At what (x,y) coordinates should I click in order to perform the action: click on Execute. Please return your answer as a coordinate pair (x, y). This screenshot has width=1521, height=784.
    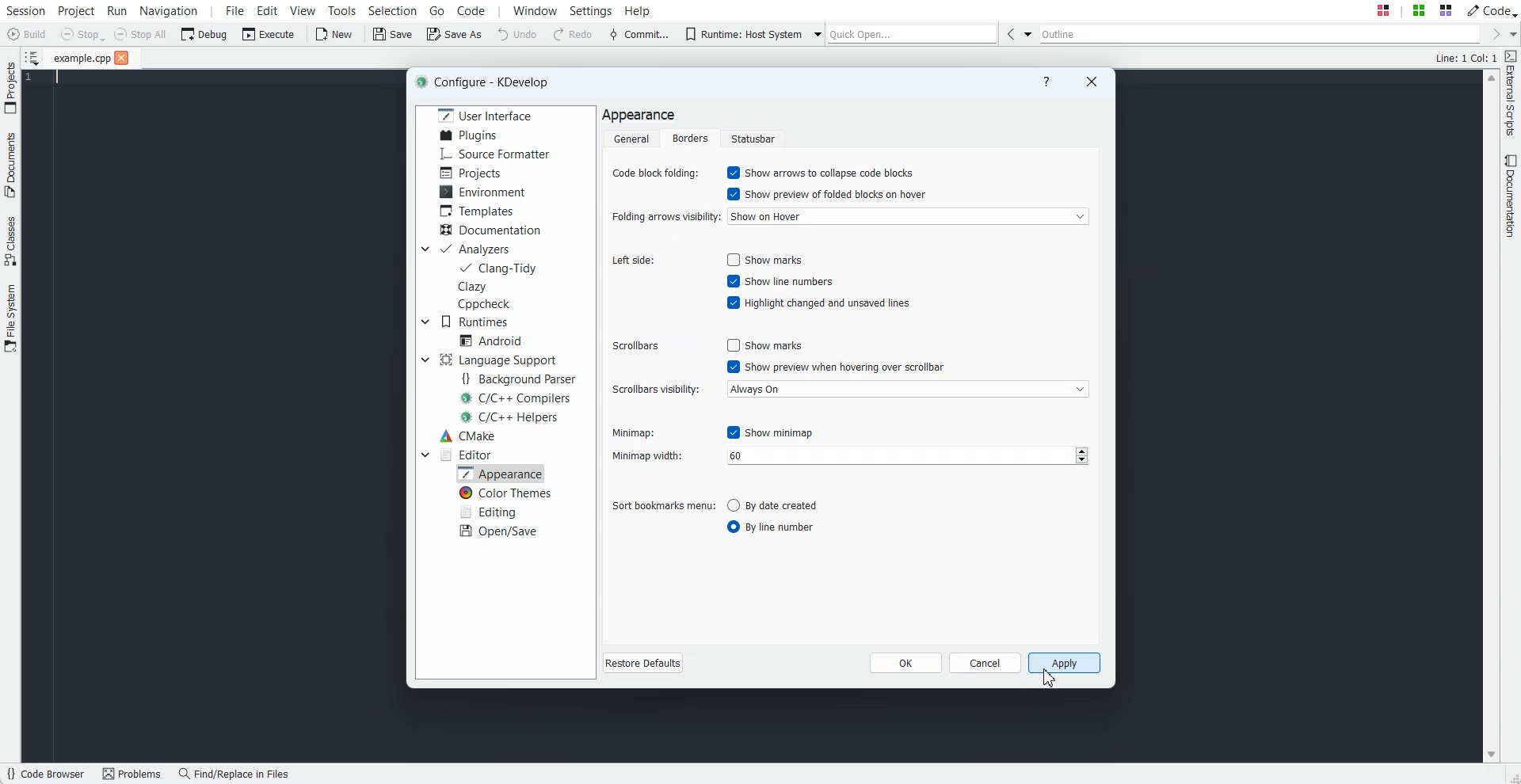
    Looking at the image, I should click on (269, 34).